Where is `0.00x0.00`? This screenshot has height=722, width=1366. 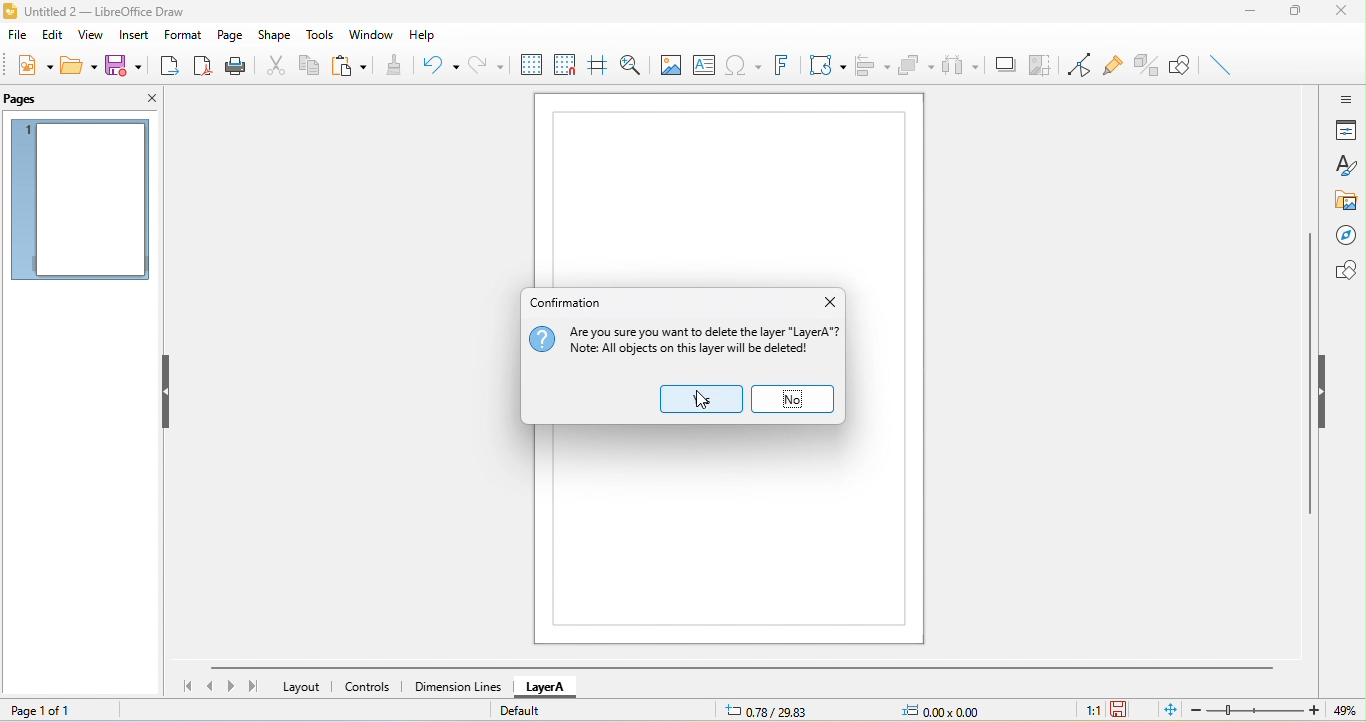
0.00x0.00 is located at coordinates (930, 708).